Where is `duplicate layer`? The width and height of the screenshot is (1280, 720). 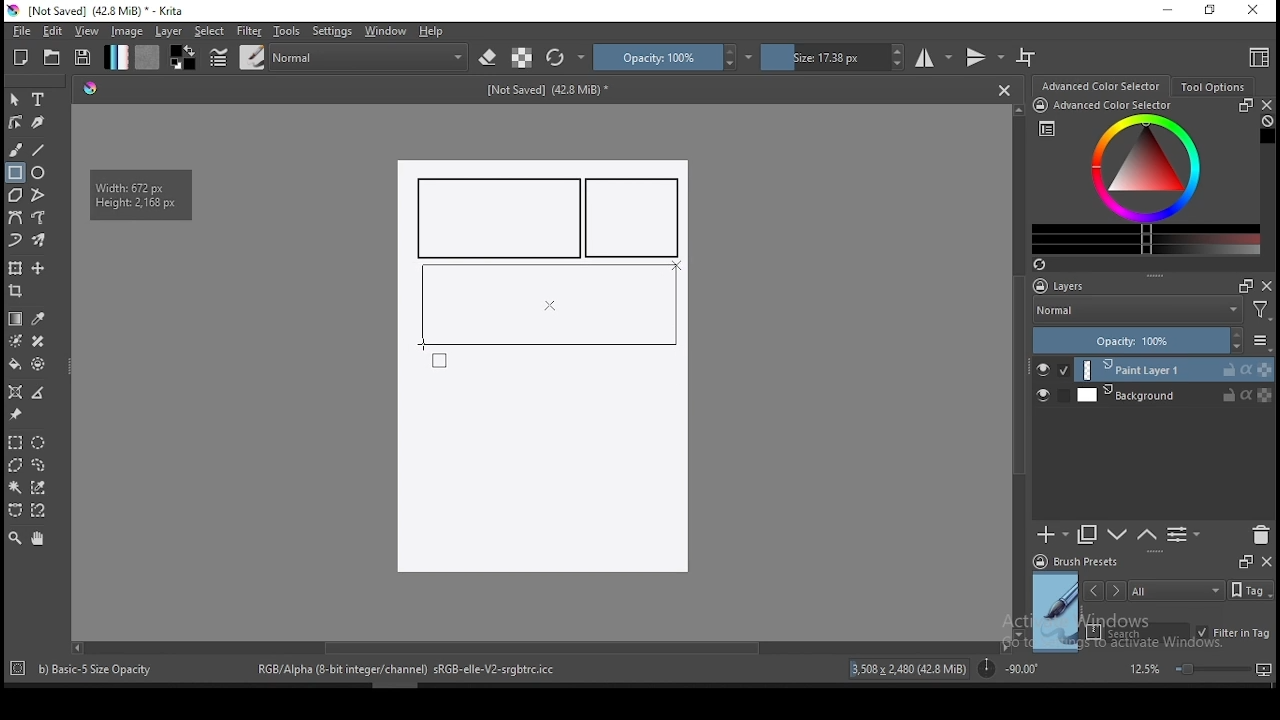
duplicate layer is located at coordinates (1088, 534).